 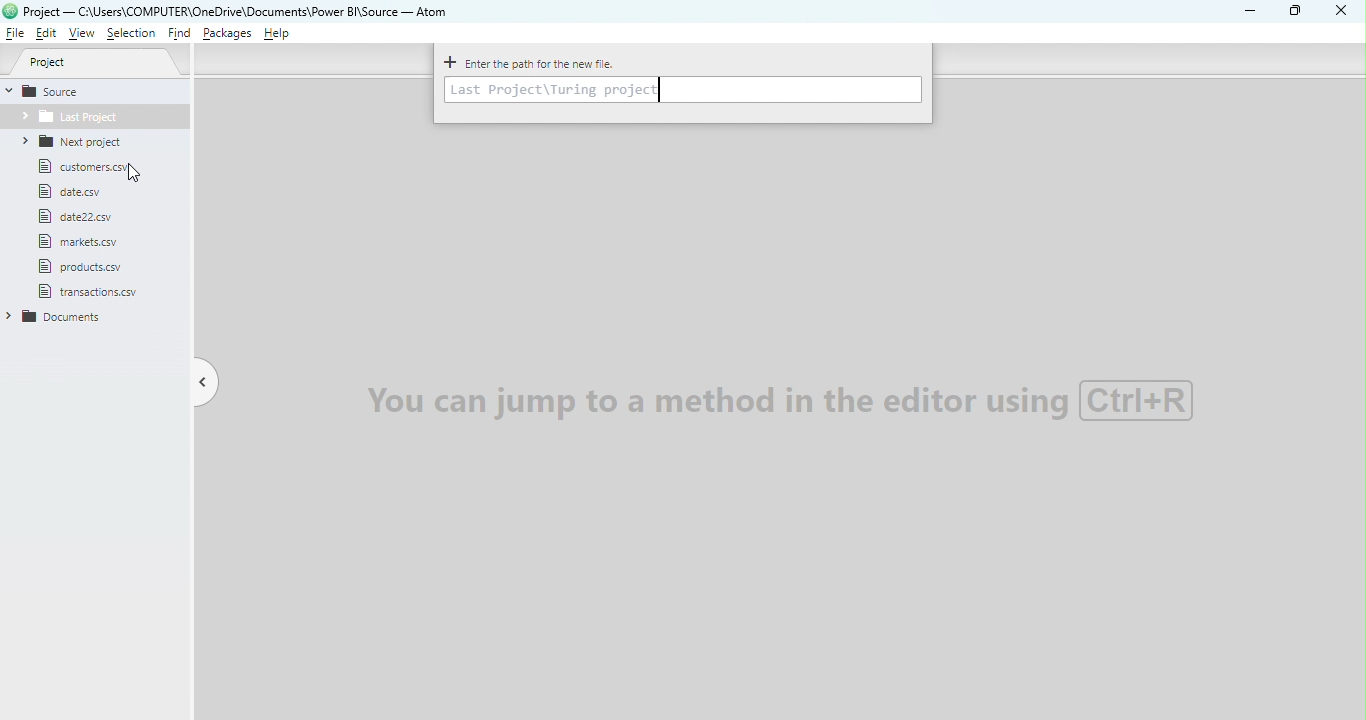 I want to click on Packages, so click(x=229, y=33).